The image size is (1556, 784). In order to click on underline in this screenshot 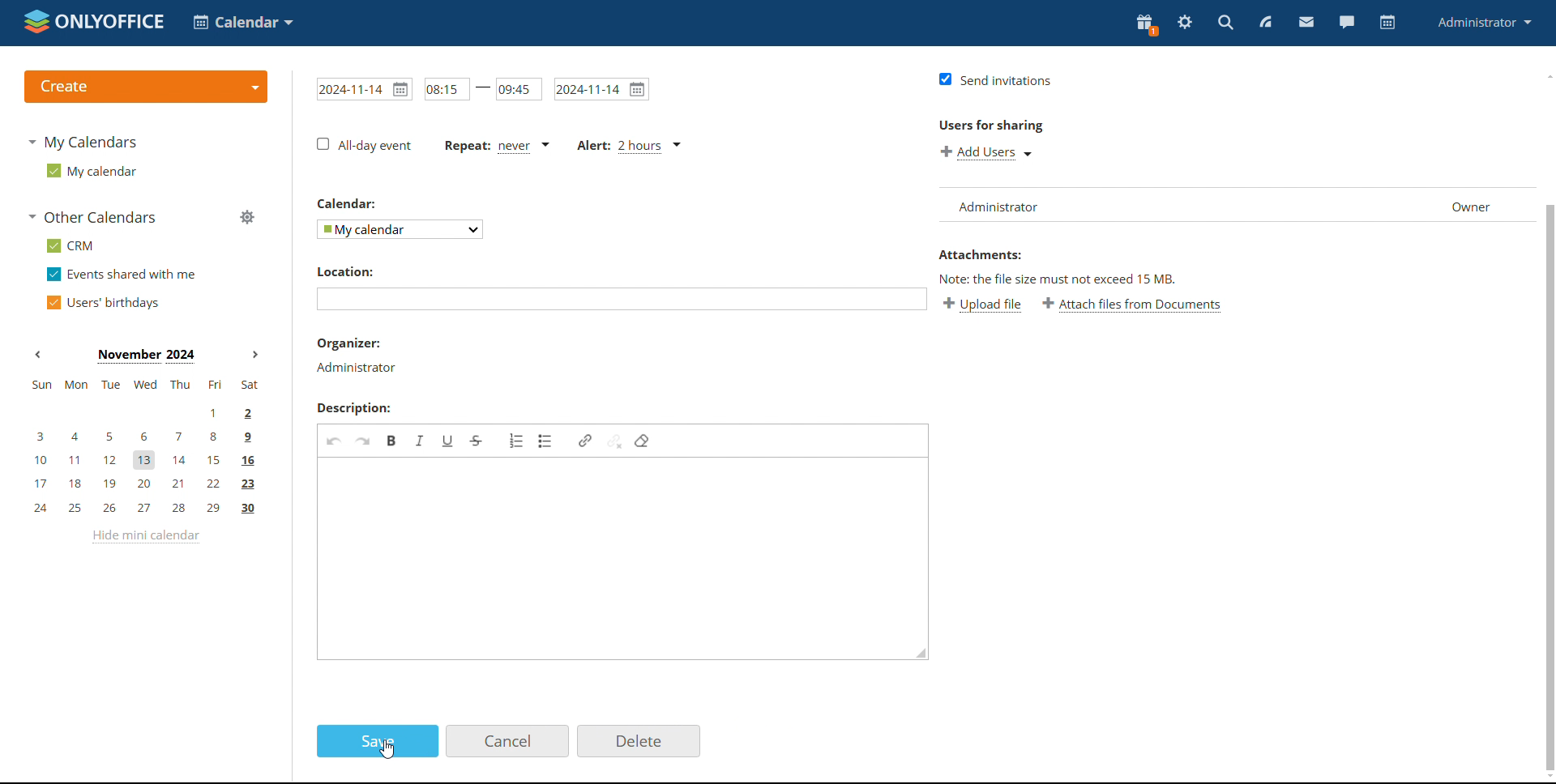, I will do `click(449, 442)`.